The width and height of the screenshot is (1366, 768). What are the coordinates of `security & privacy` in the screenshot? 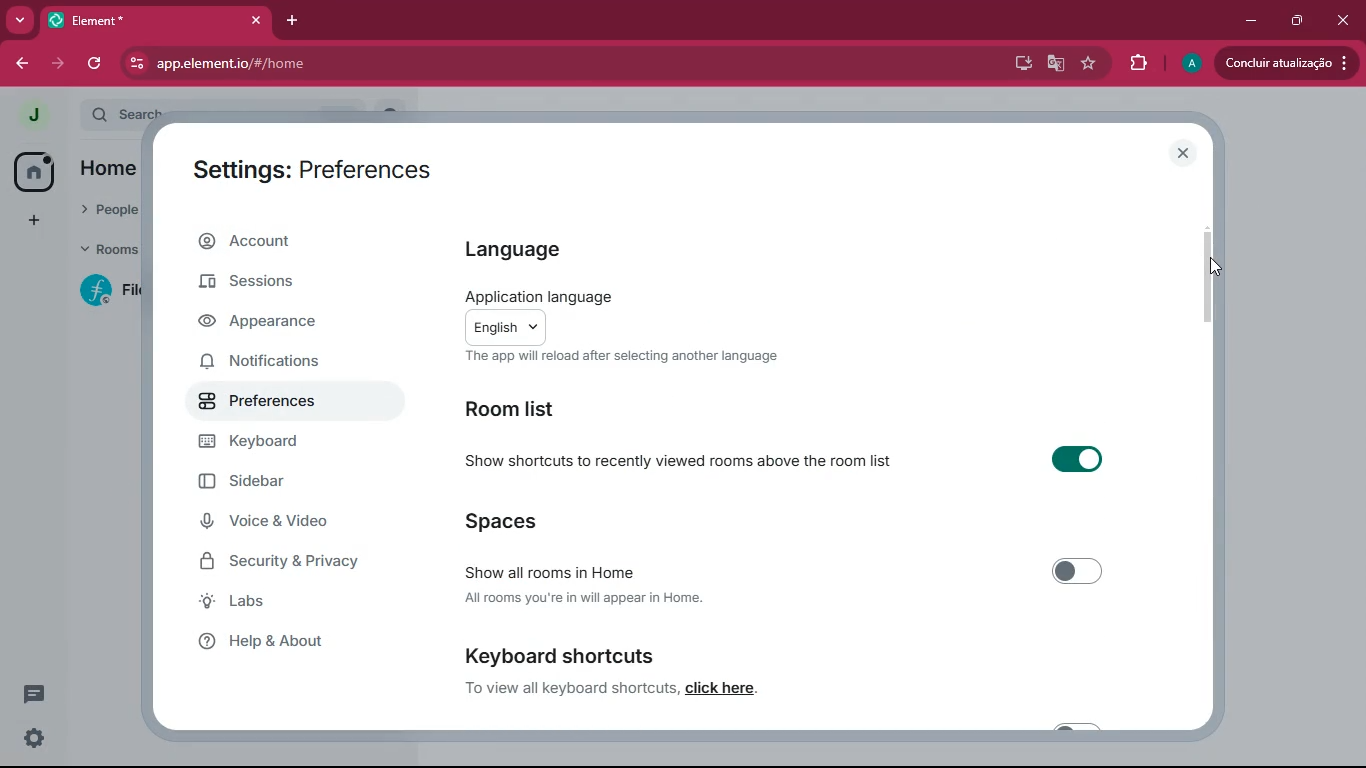 It's located at (283, 562).